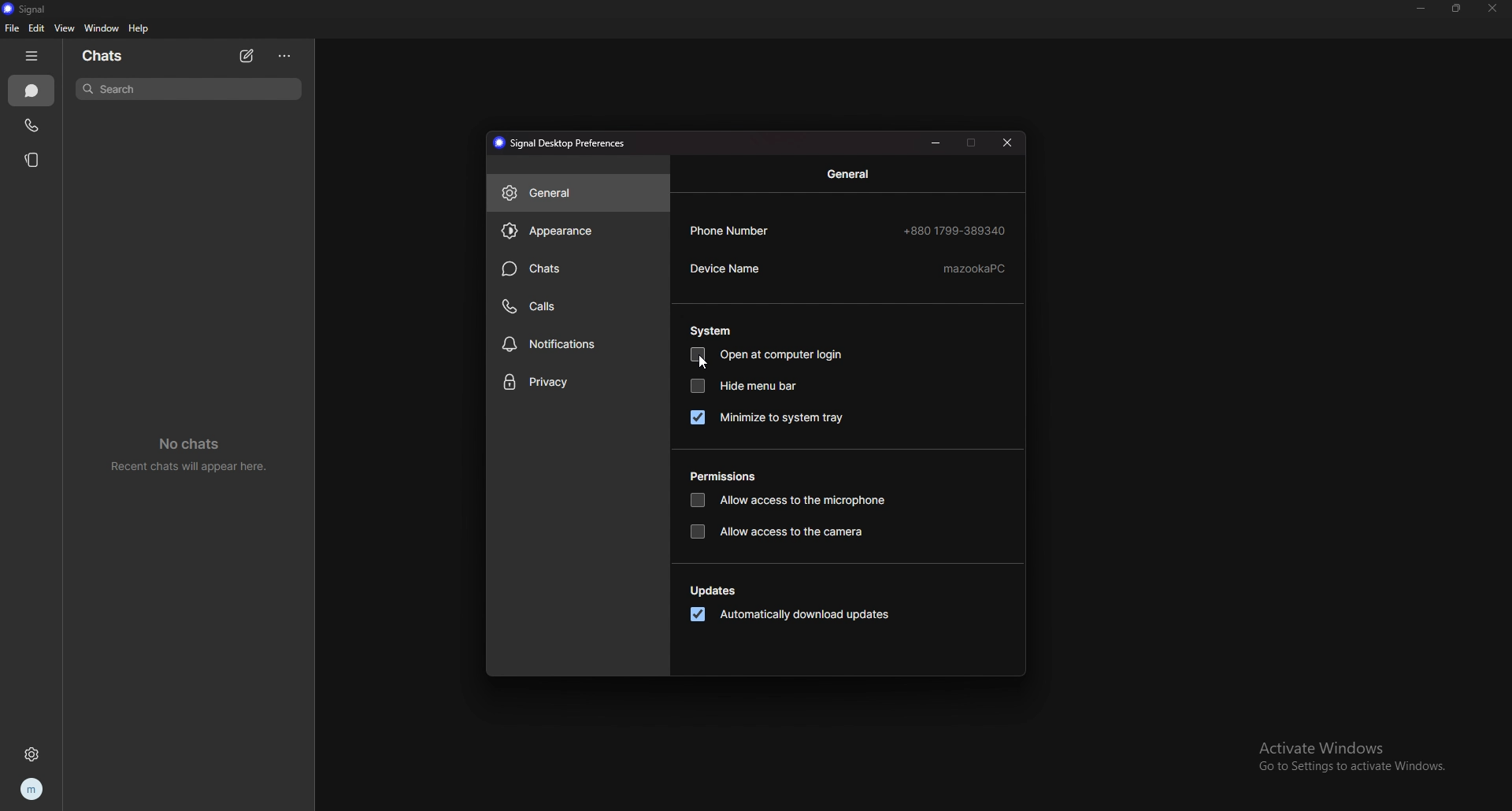  Describe the element at coordinates (938, 142) in the screenshot. I see `minimize` at that location.